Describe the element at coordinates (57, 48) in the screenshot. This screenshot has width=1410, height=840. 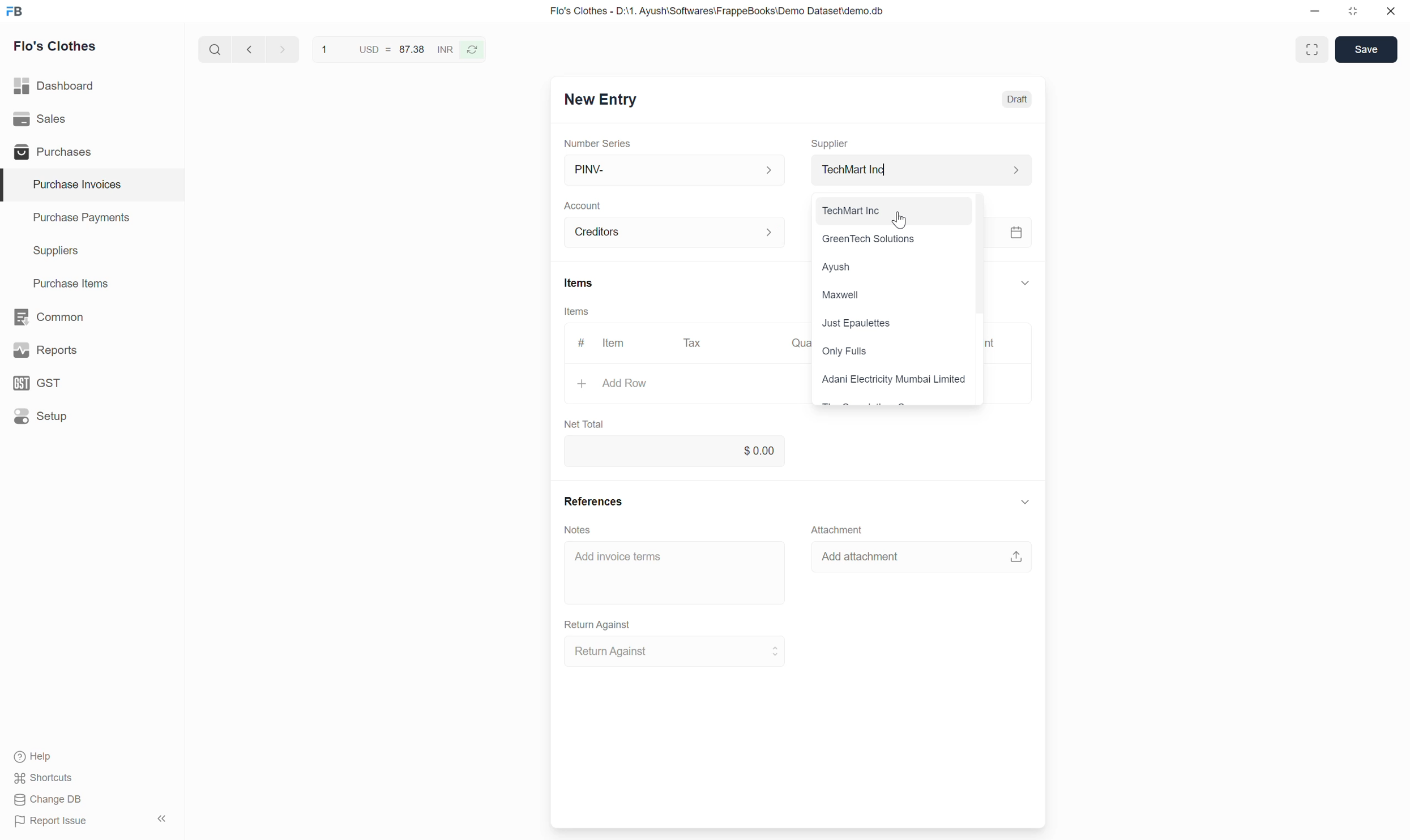
I see `Flo's Clothes` at that location.